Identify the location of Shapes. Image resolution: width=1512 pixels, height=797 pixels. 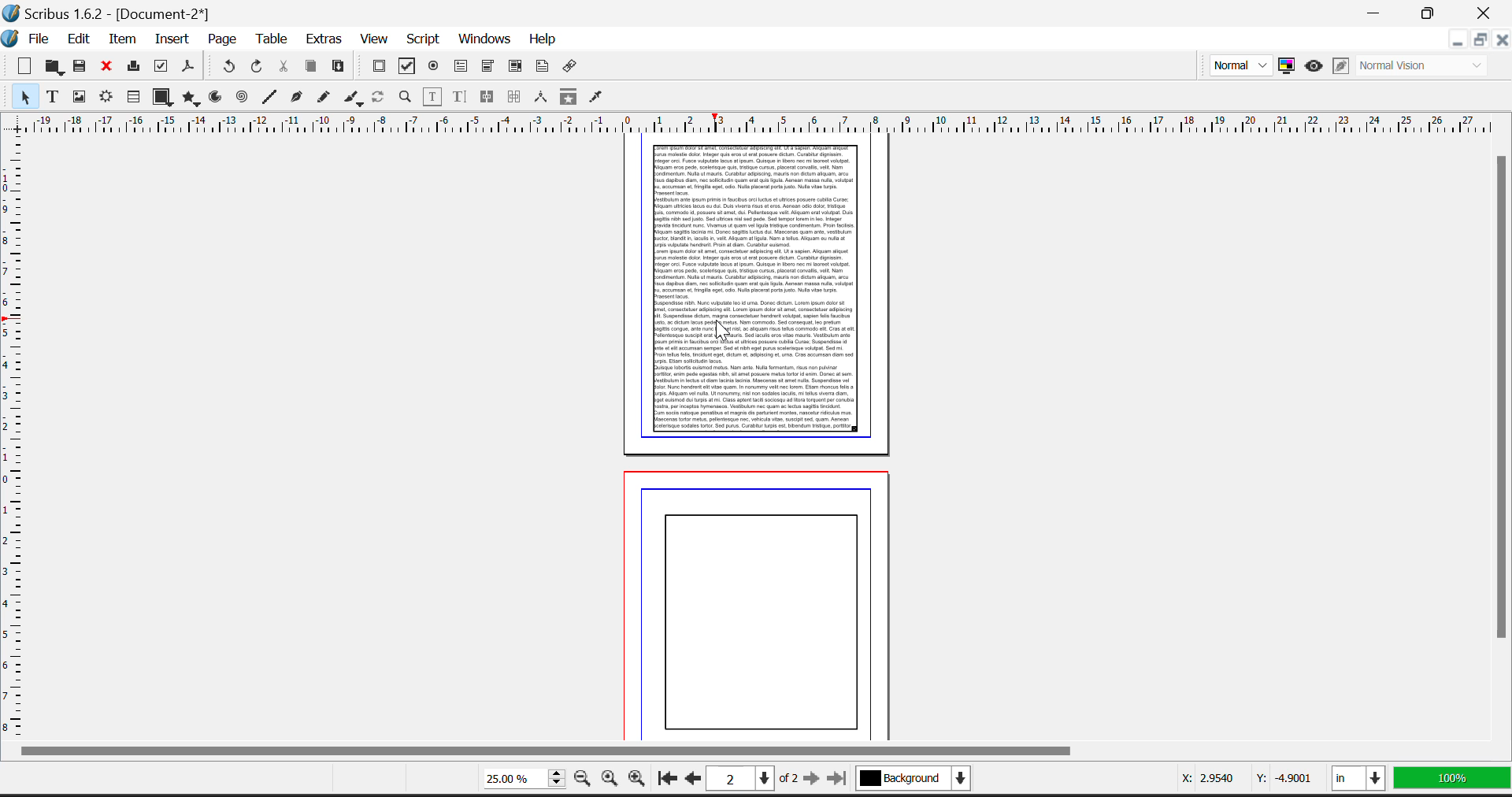
(161, 98).